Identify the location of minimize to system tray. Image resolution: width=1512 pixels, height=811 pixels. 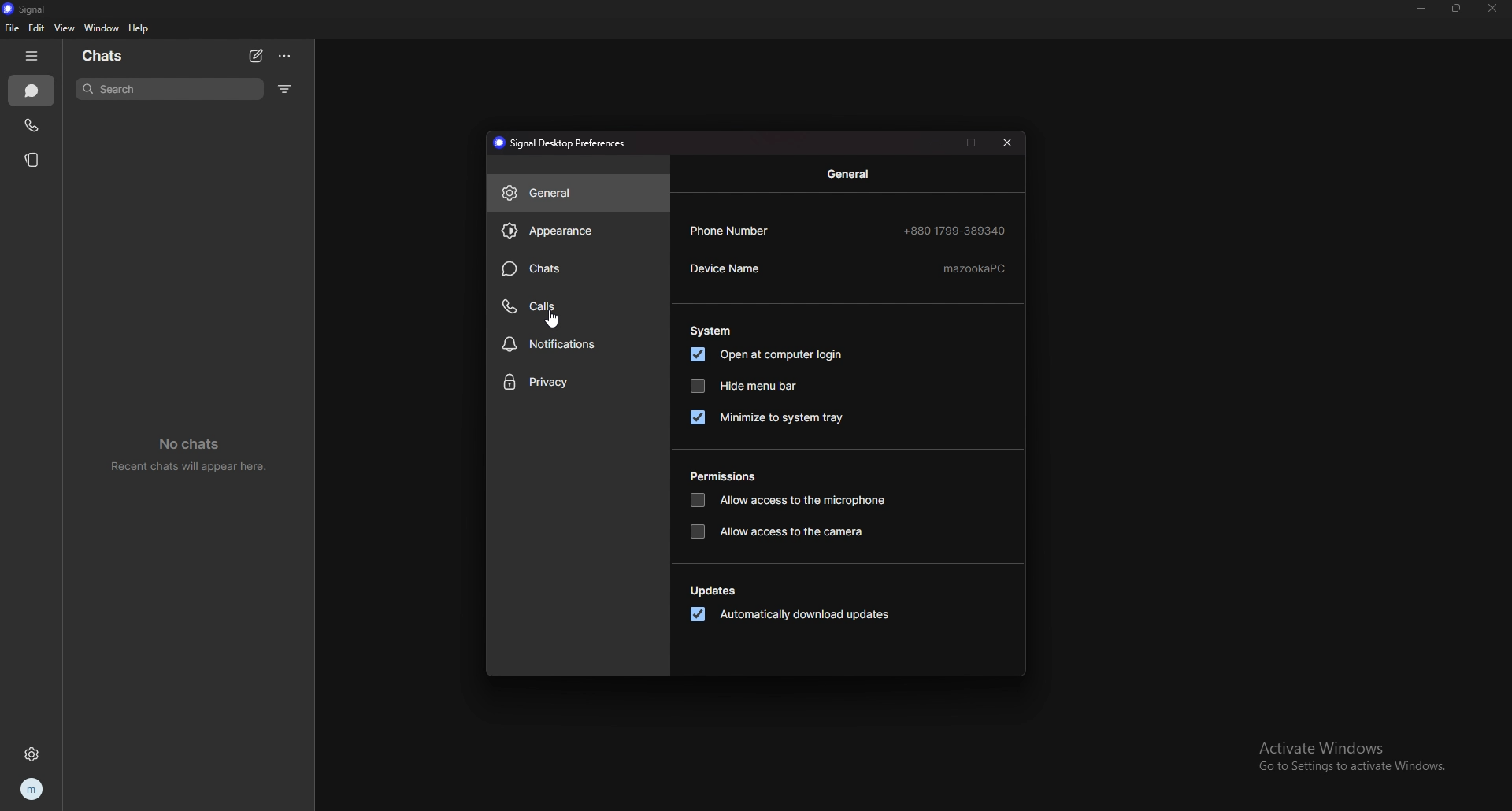
(765, 417).